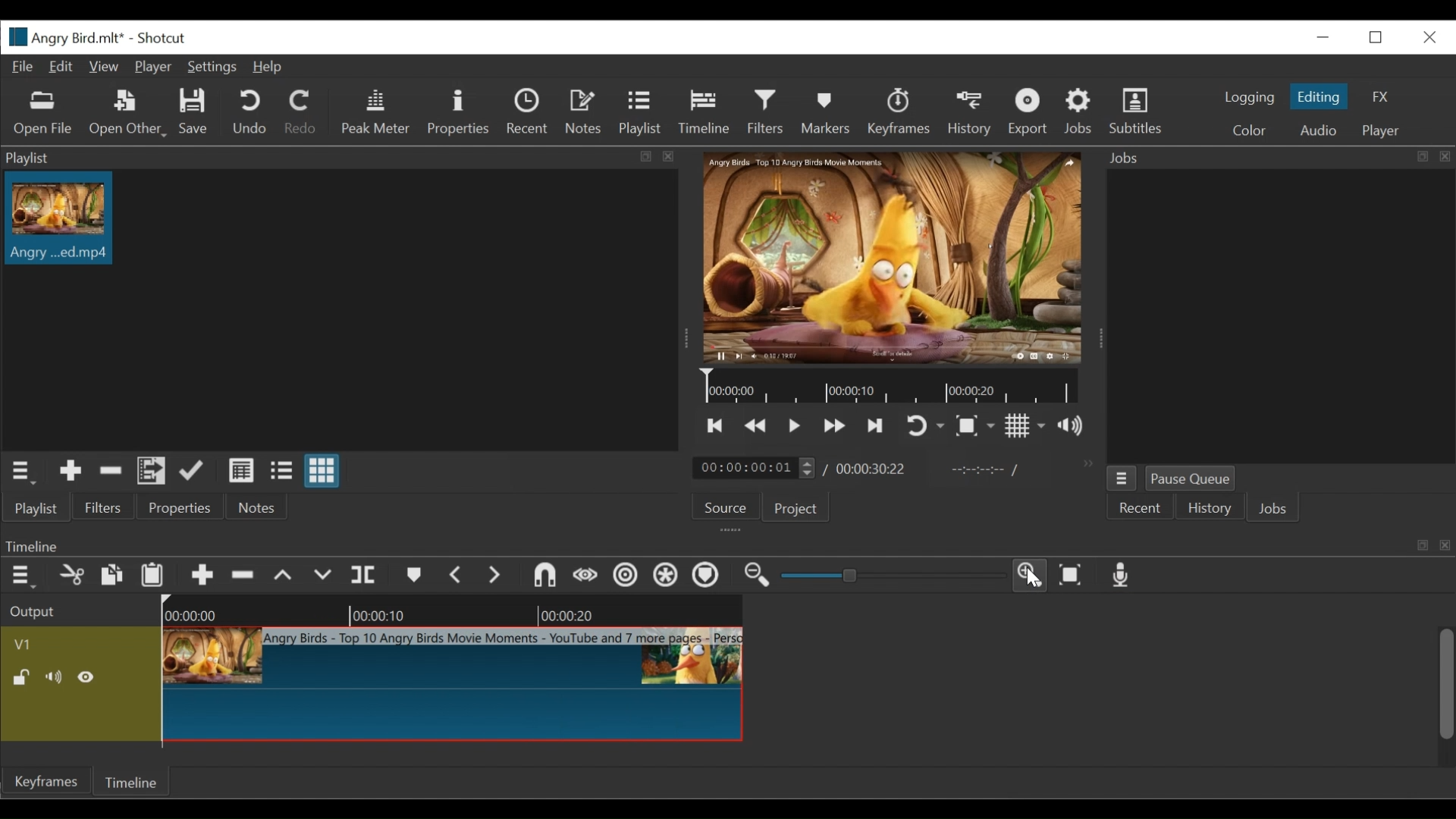 This screenshot has width=1456, height=819. Describe the element at coordinates (213, 68) in the screenshot. I see `Settings` at that location.